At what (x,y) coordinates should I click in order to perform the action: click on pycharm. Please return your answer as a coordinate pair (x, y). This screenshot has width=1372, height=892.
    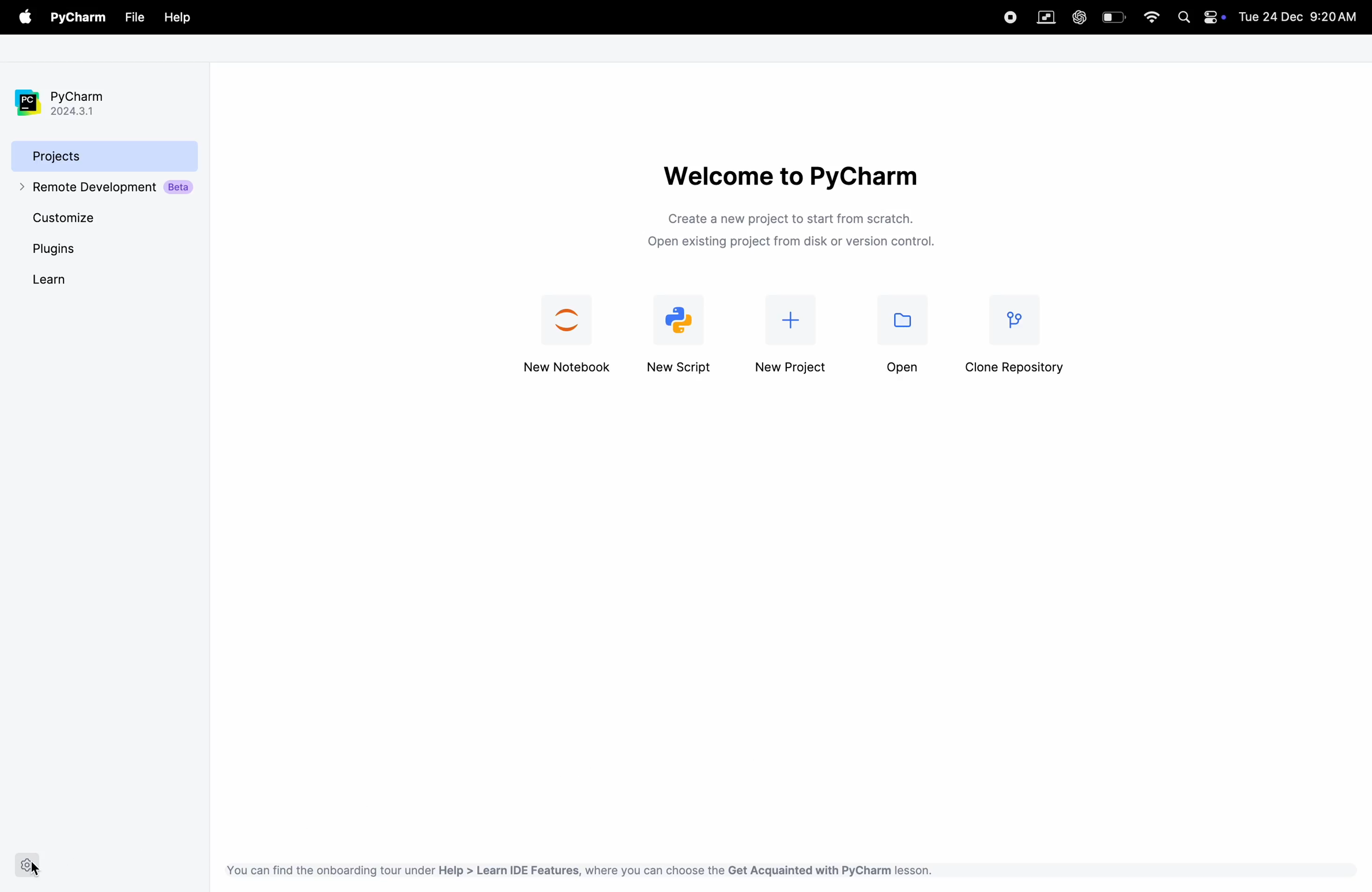
    Looking at the image, I should click on (81, 18).